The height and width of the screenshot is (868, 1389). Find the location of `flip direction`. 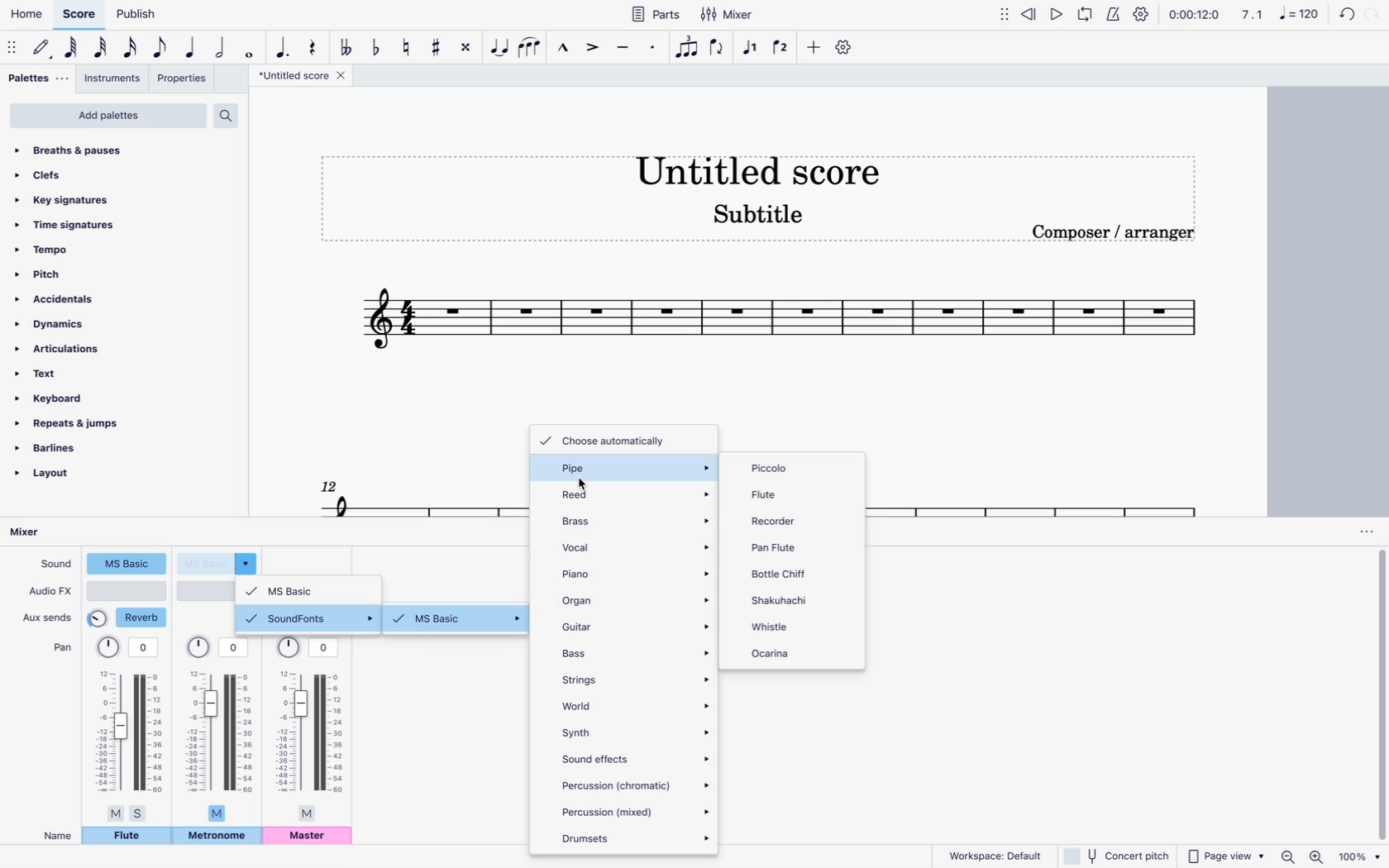

flip direction is located at coordinates (719, 50).